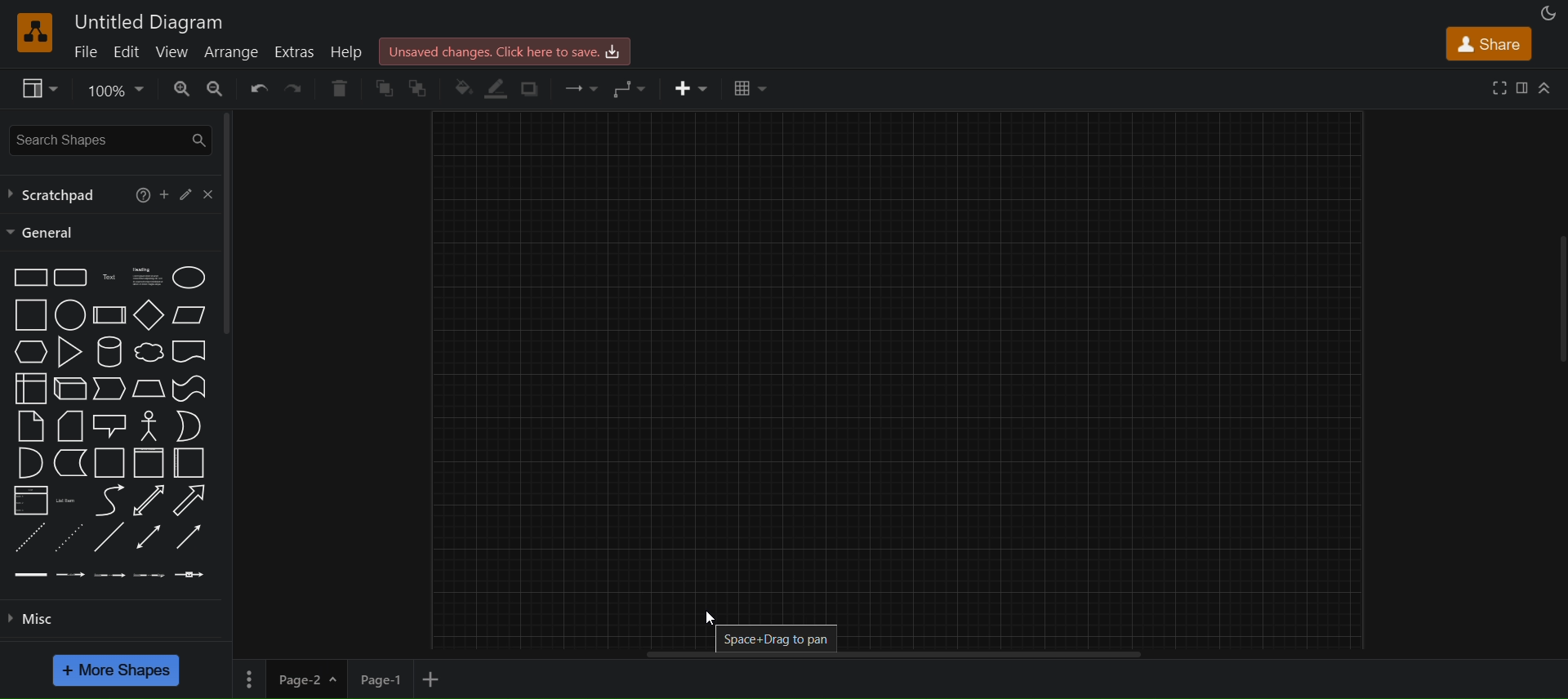  I want to click on edit, so click(185, 194).